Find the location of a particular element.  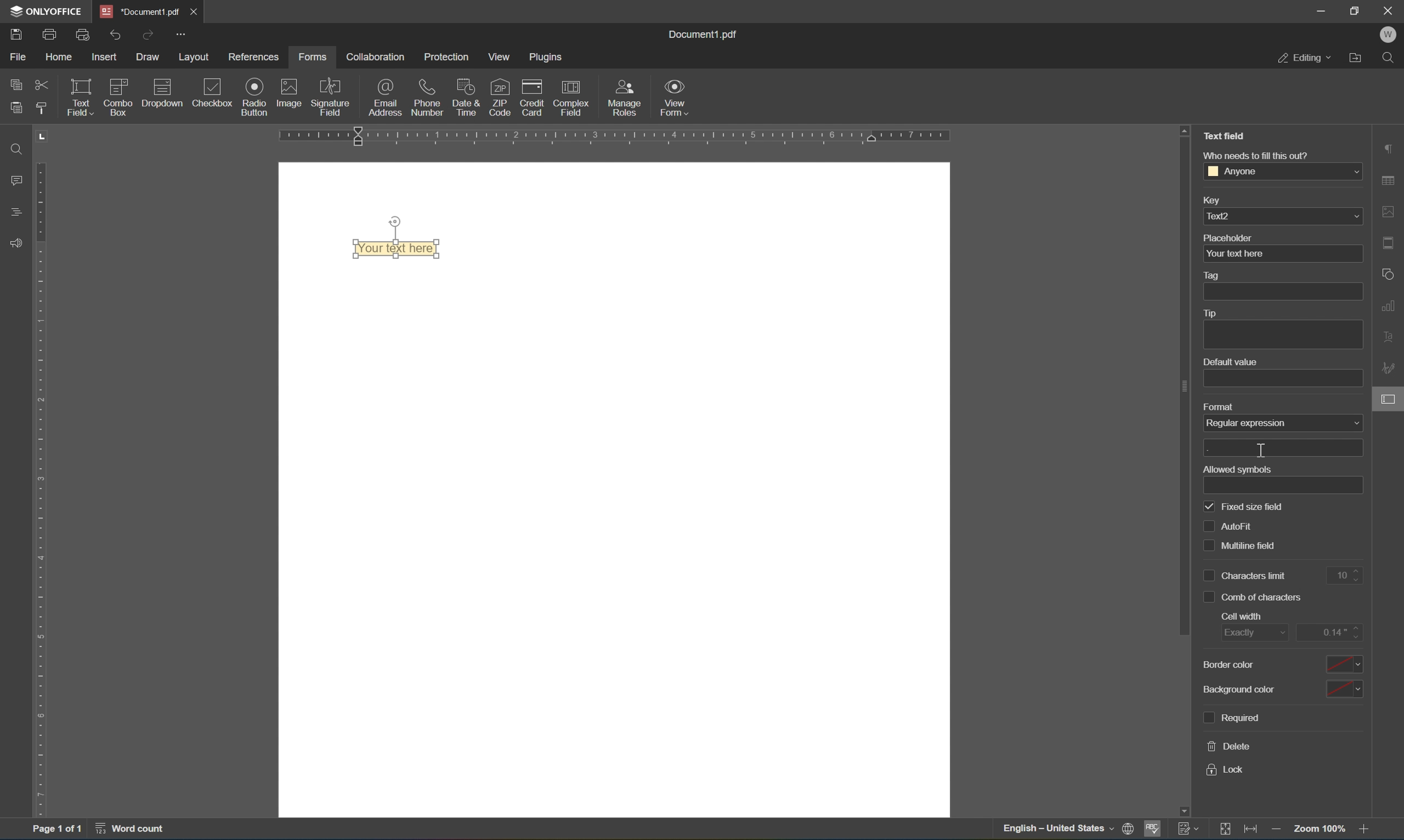

default value is located at coordinates (1233, 362).